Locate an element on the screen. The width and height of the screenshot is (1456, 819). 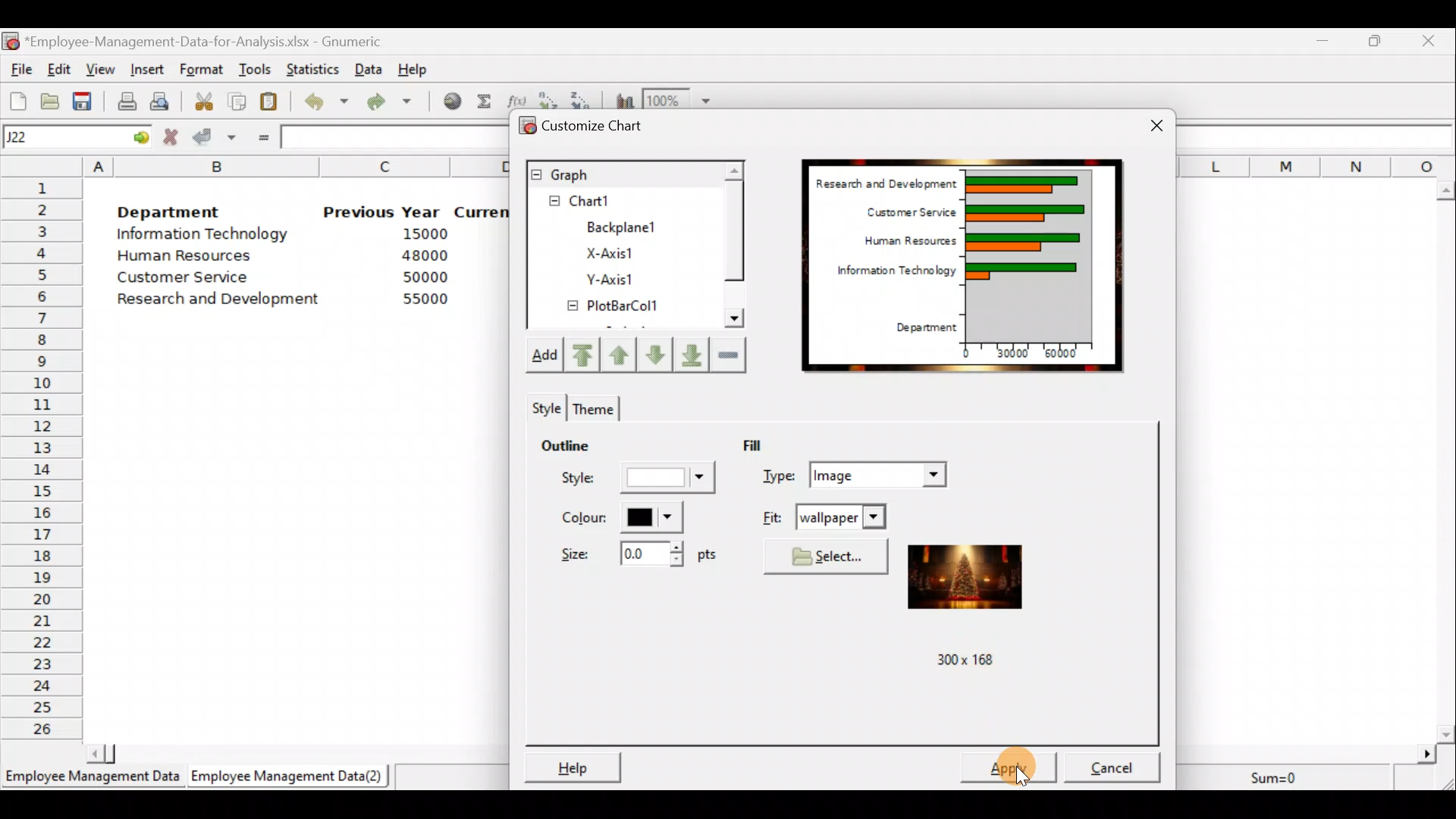
Rows is located at coordinates (42, 460).